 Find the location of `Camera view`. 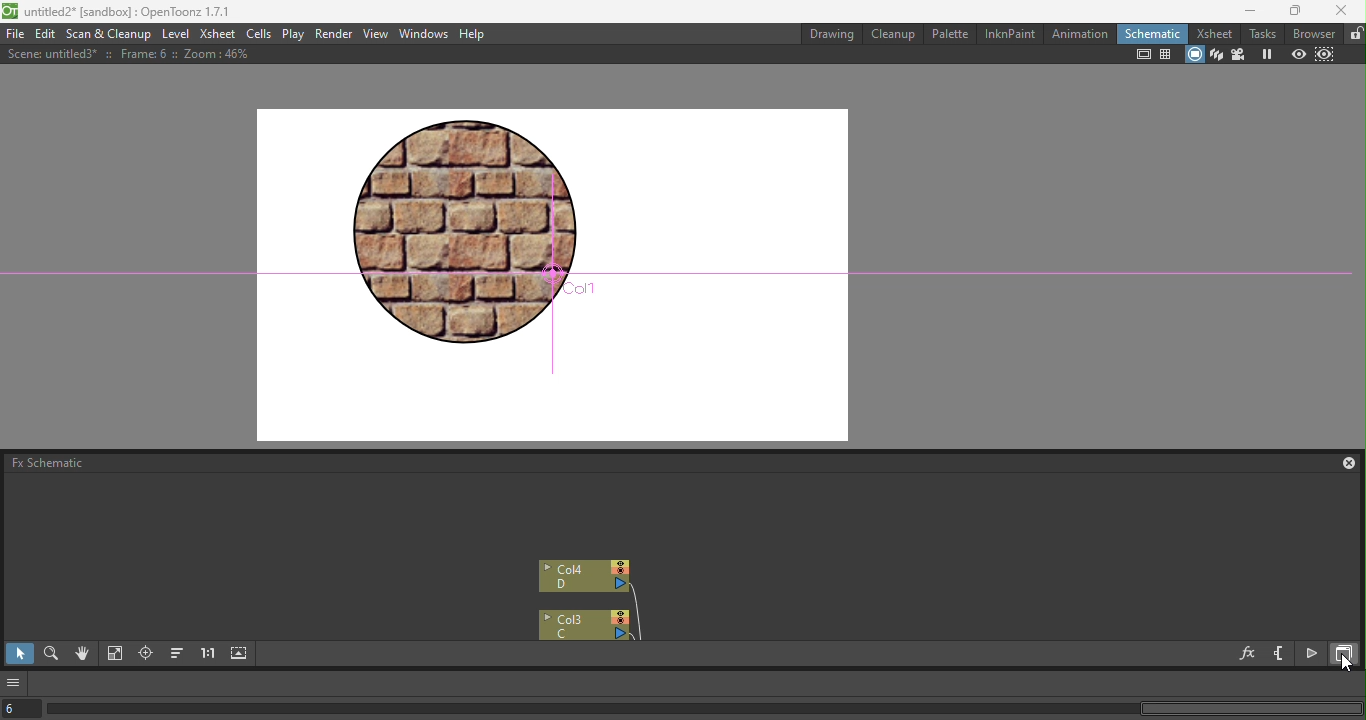

Camera view is located at coordinates (1240, 55).